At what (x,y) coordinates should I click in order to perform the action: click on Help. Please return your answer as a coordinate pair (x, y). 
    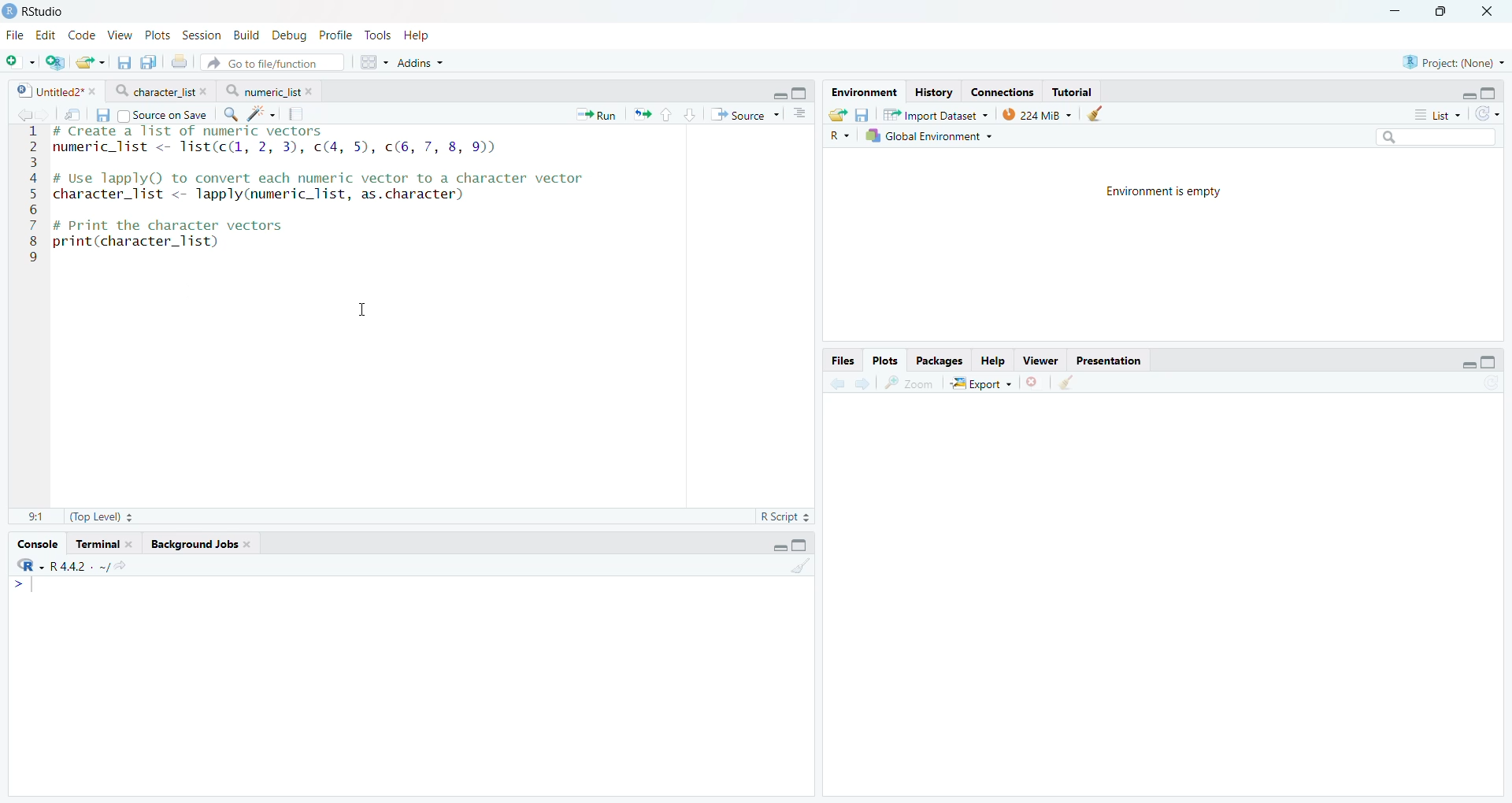
    Looking at the image, I should click on (419, 36).